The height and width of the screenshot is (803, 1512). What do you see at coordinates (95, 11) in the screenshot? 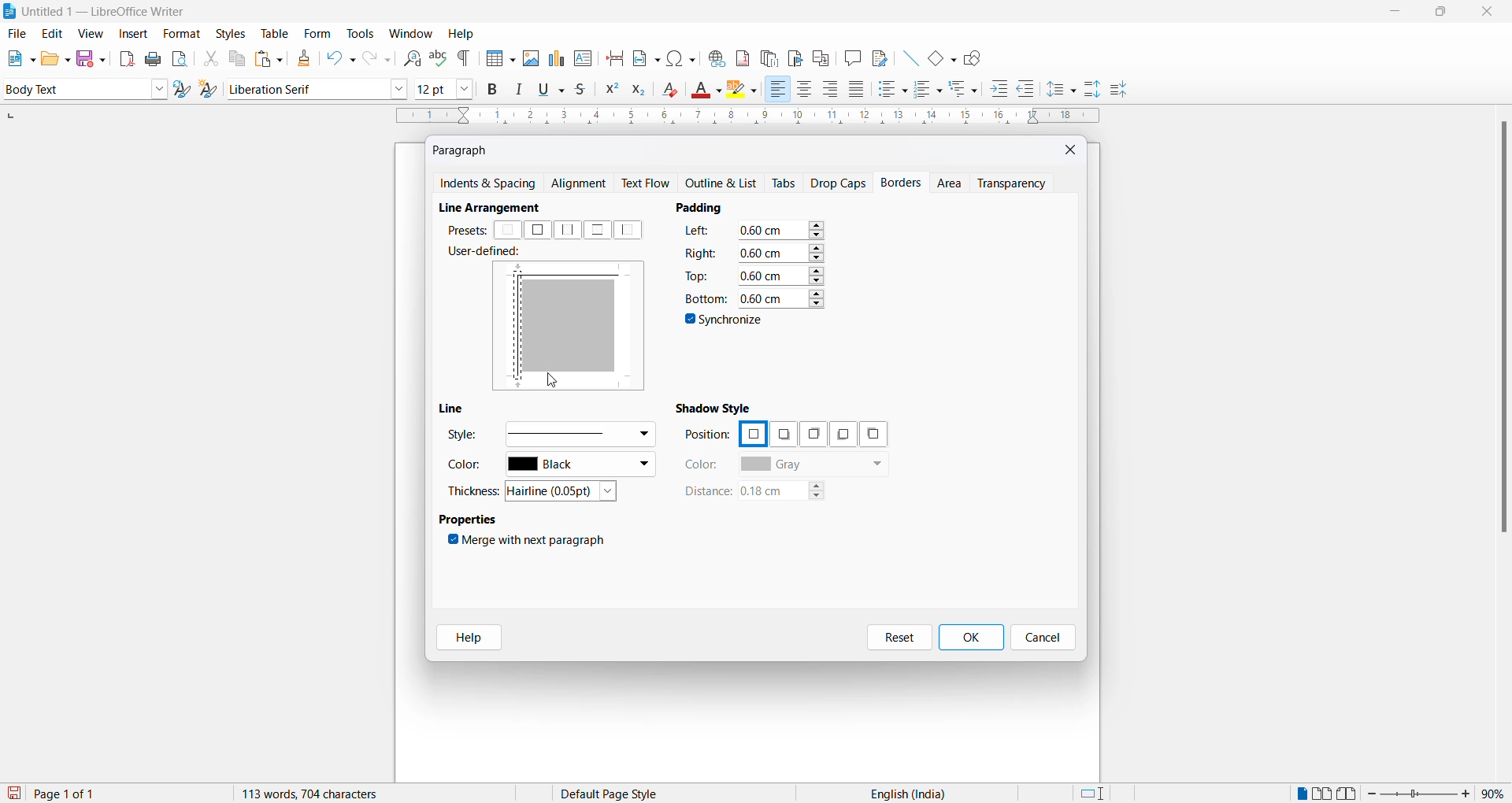
I see `file title` at bounding box center [95, 11].